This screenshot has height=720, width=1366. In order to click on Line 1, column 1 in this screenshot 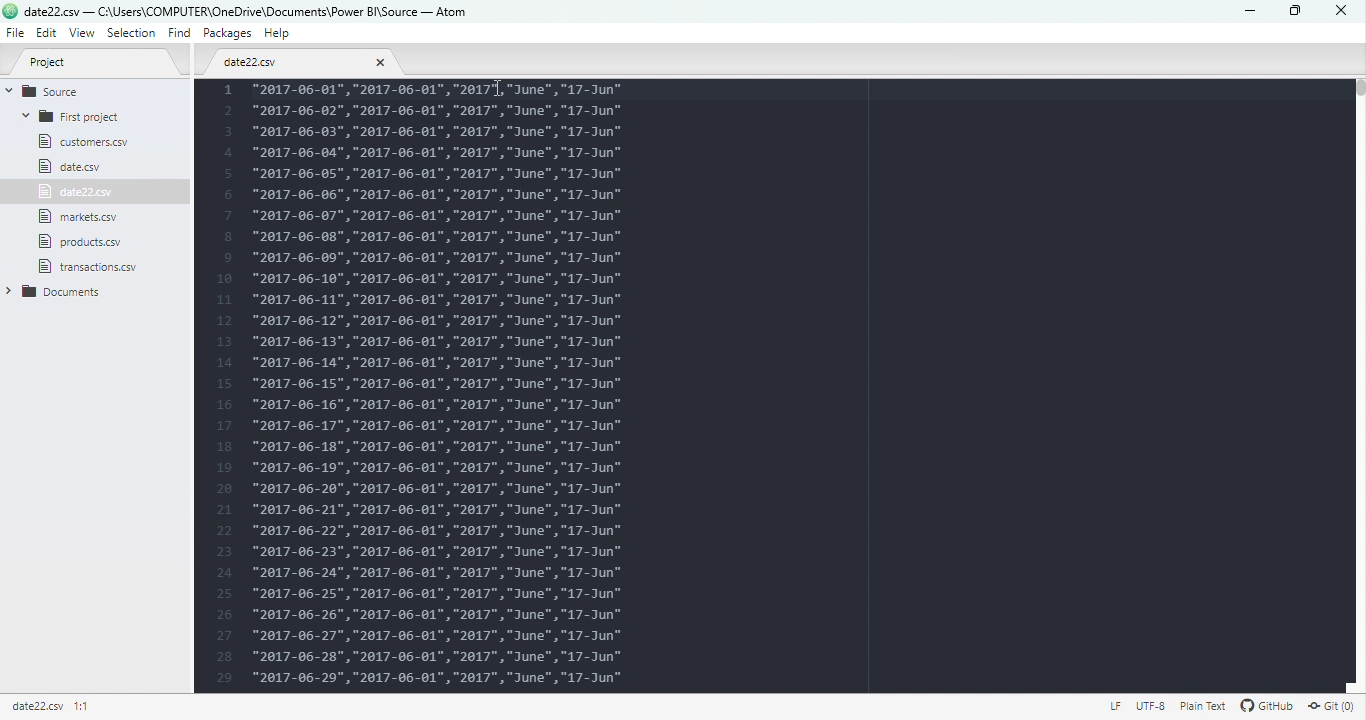, I will do `click(84, 707)`.